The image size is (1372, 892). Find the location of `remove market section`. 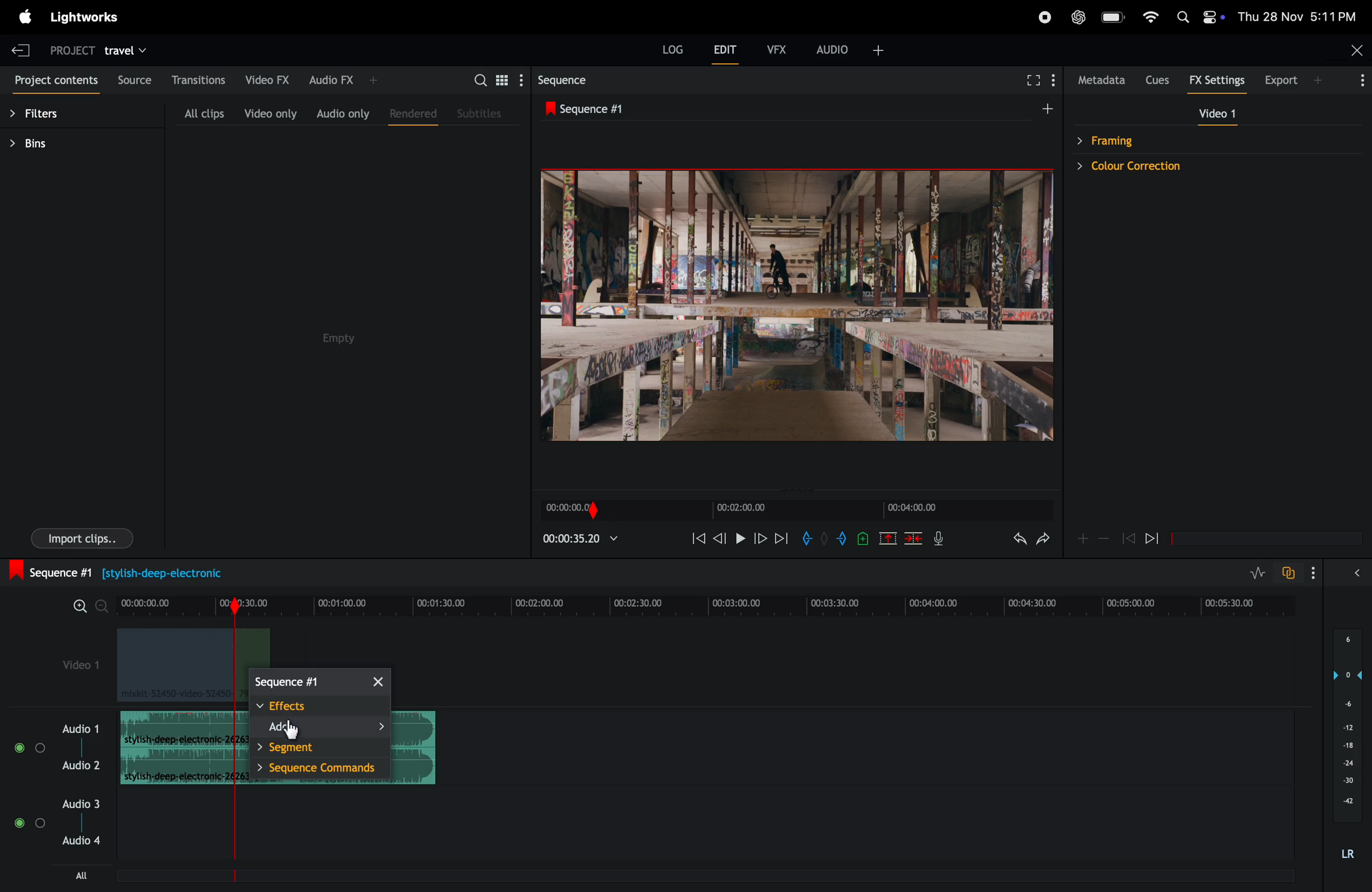

remove market section is located at coordinates (887, 541).